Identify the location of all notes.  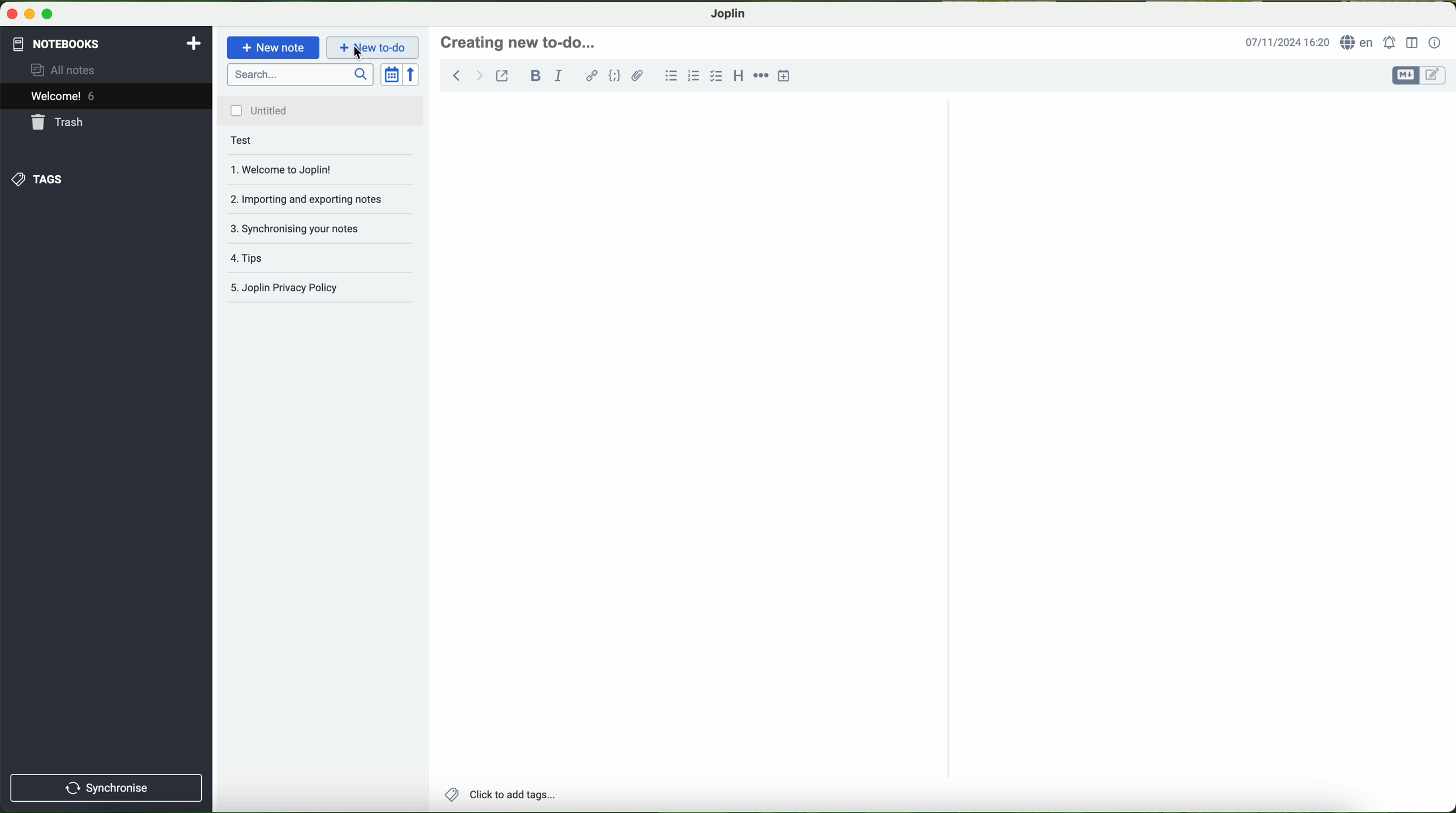
(75, 71).